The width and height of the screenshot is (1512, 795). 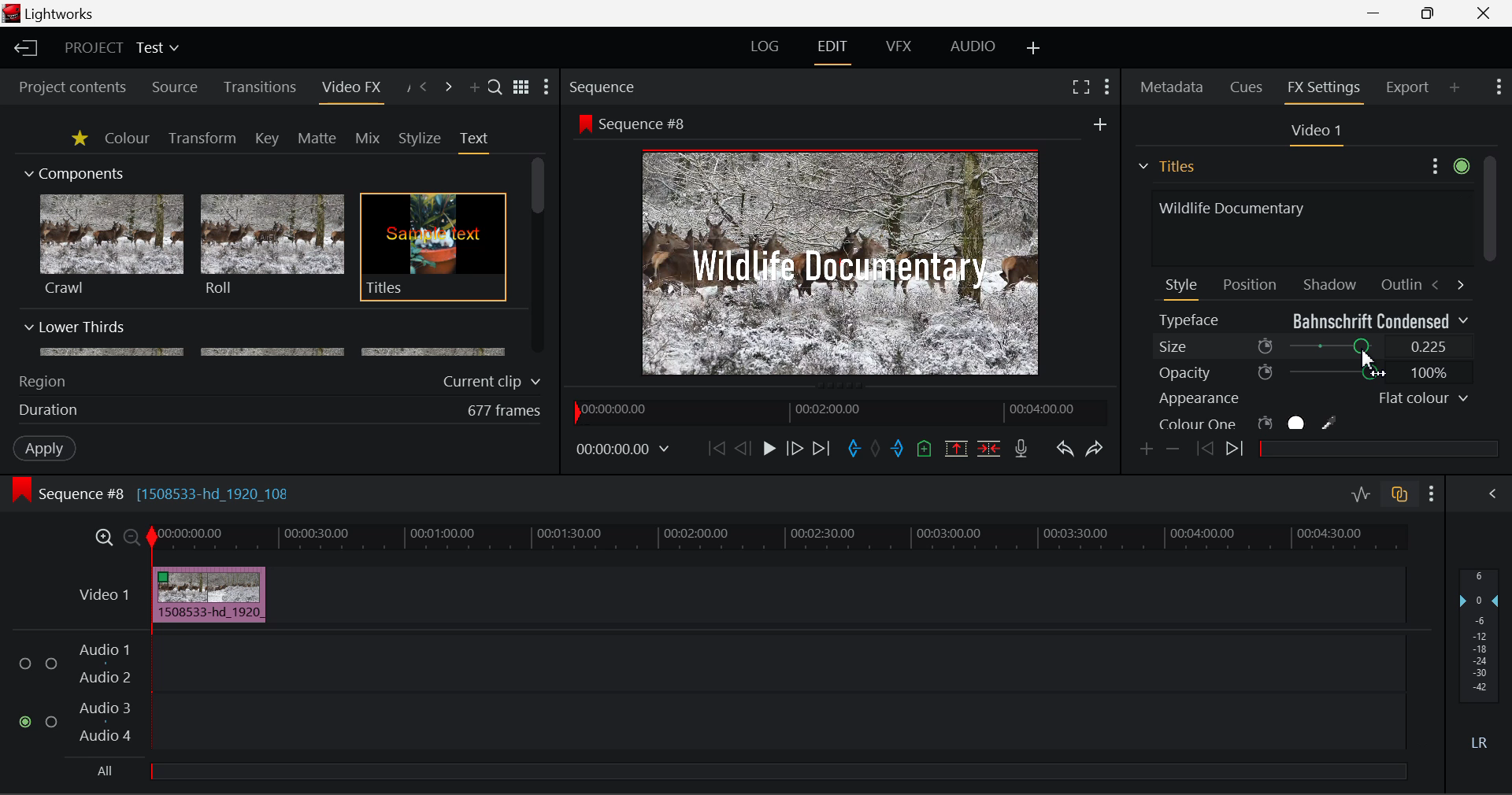 What do you see at coordinates (898, 46) in the screenshot?
I see `VFX Layout` at bounding box center [898, 46].